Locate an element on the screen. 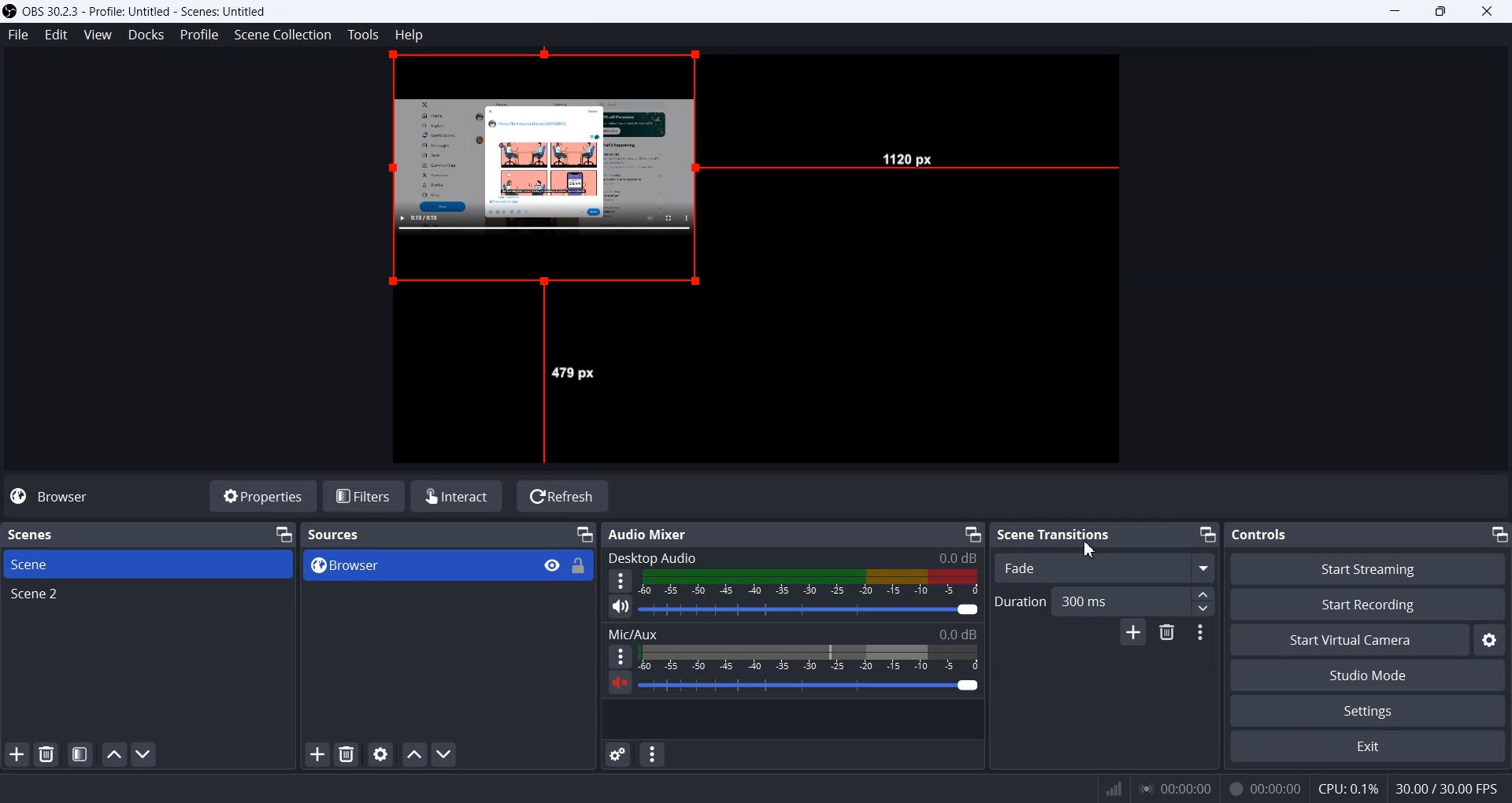  Scene is located at coordinates (149, 564).